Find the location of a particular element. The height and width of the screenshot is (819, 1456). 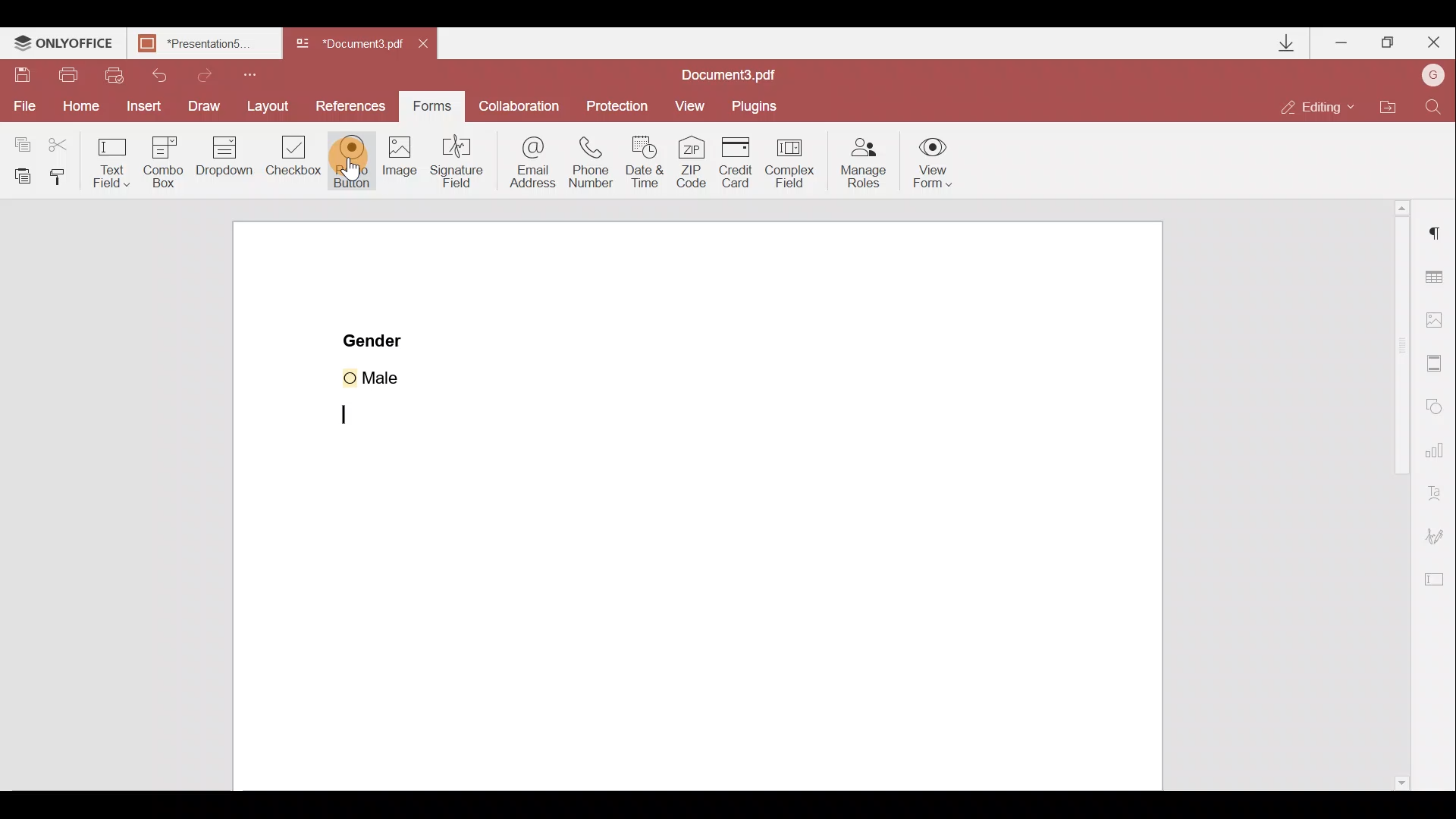

Paste is located at coordinates (20, 174).